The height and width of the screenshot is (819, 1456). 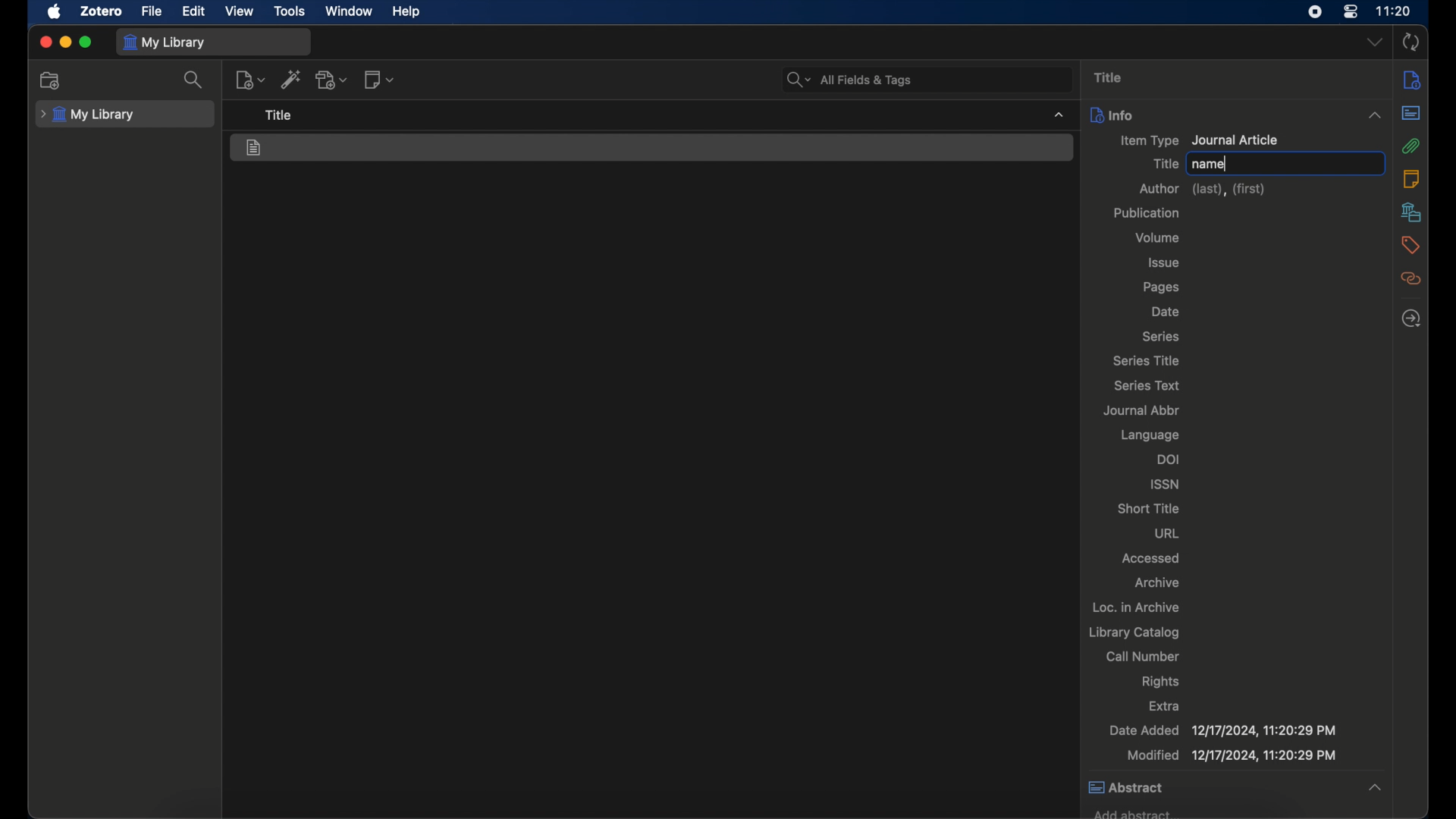 What do you see at coordinates (1409, 244) in the screenshot?
I see `tags` at bounding box center [1409, 244].